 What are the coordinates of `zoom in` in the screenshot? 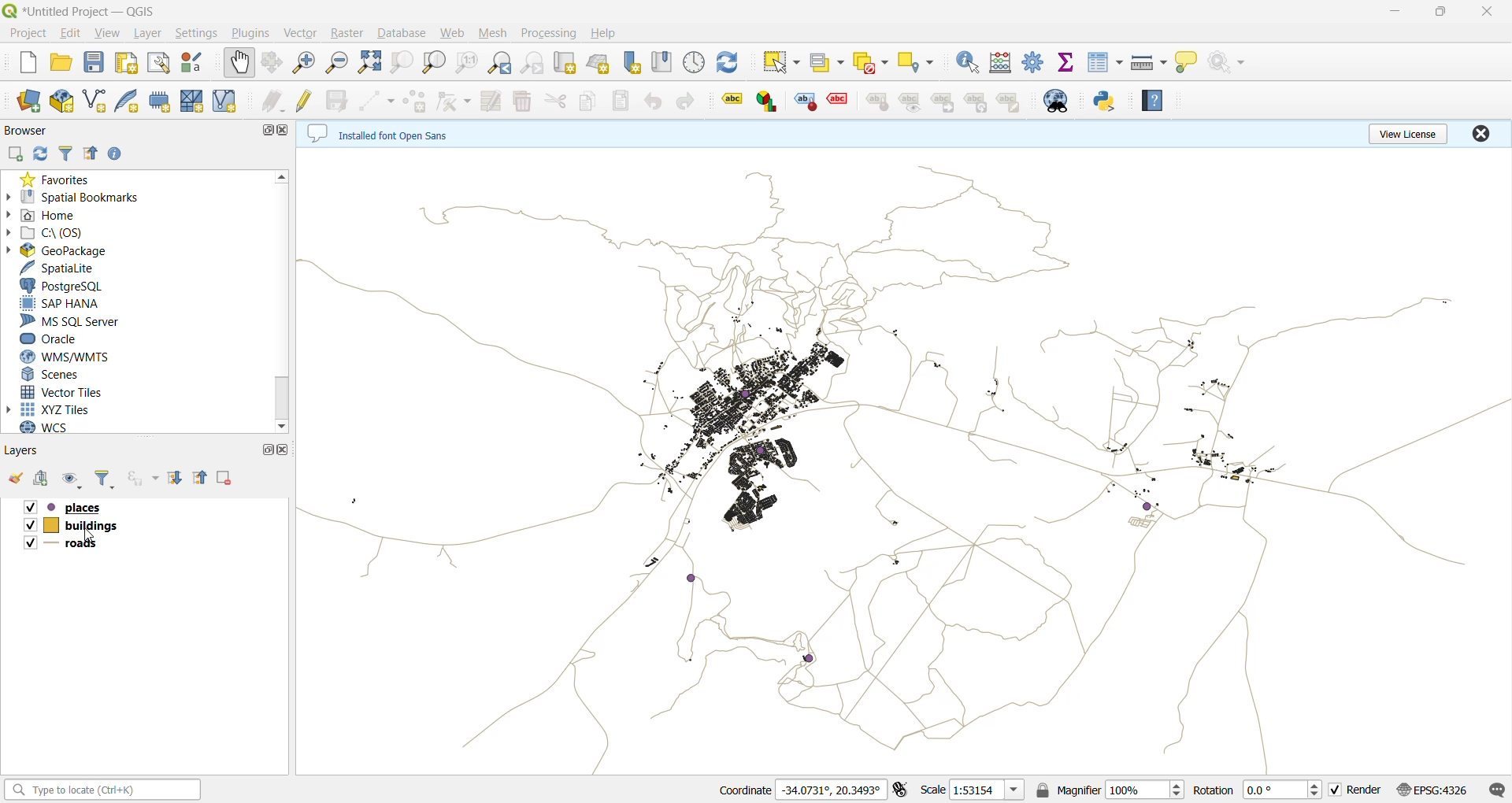 It's located at (306, 64).